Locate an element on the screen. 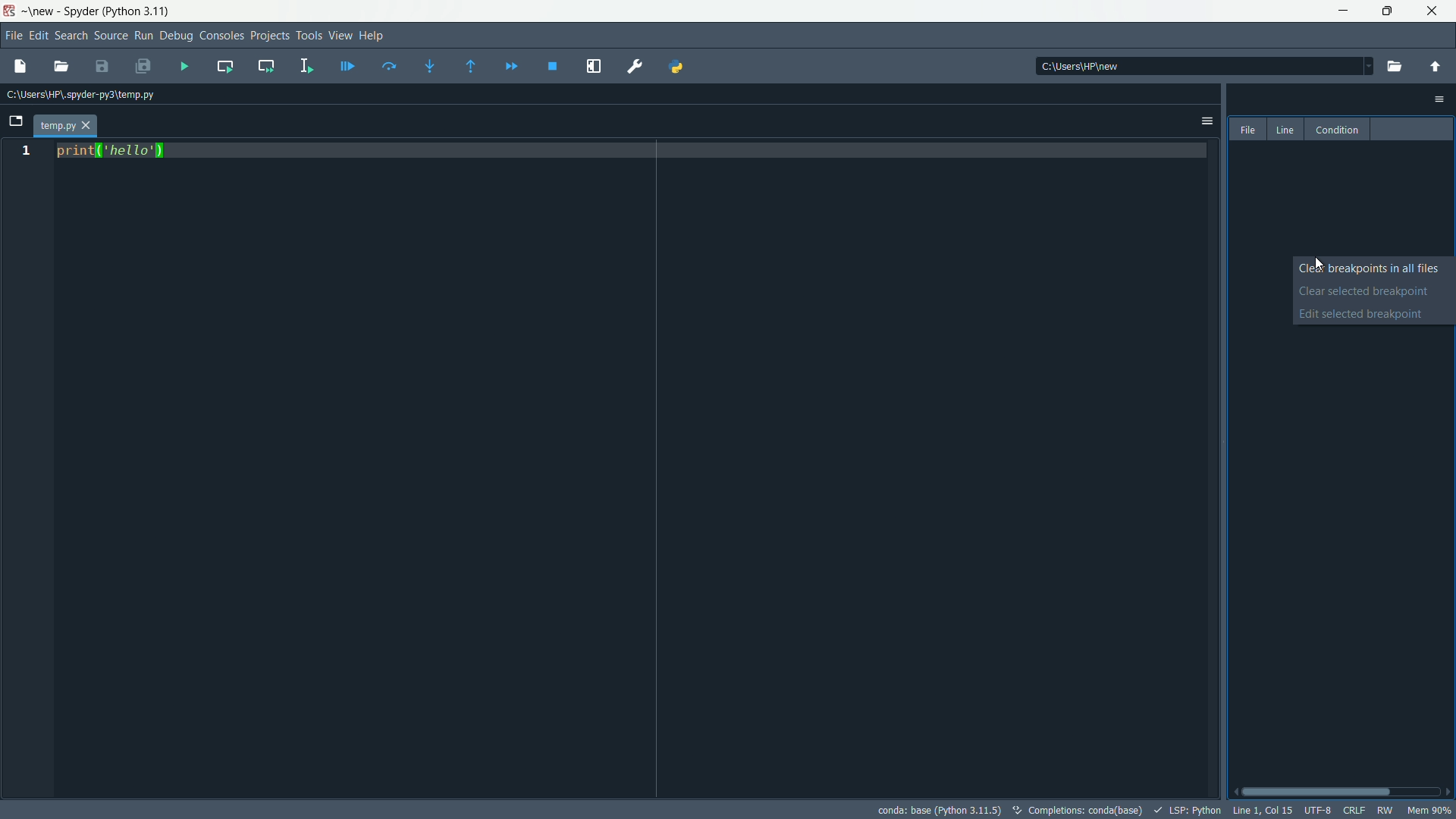 The image size is (1456, 819). save all files is located at coordinates (142, 67).